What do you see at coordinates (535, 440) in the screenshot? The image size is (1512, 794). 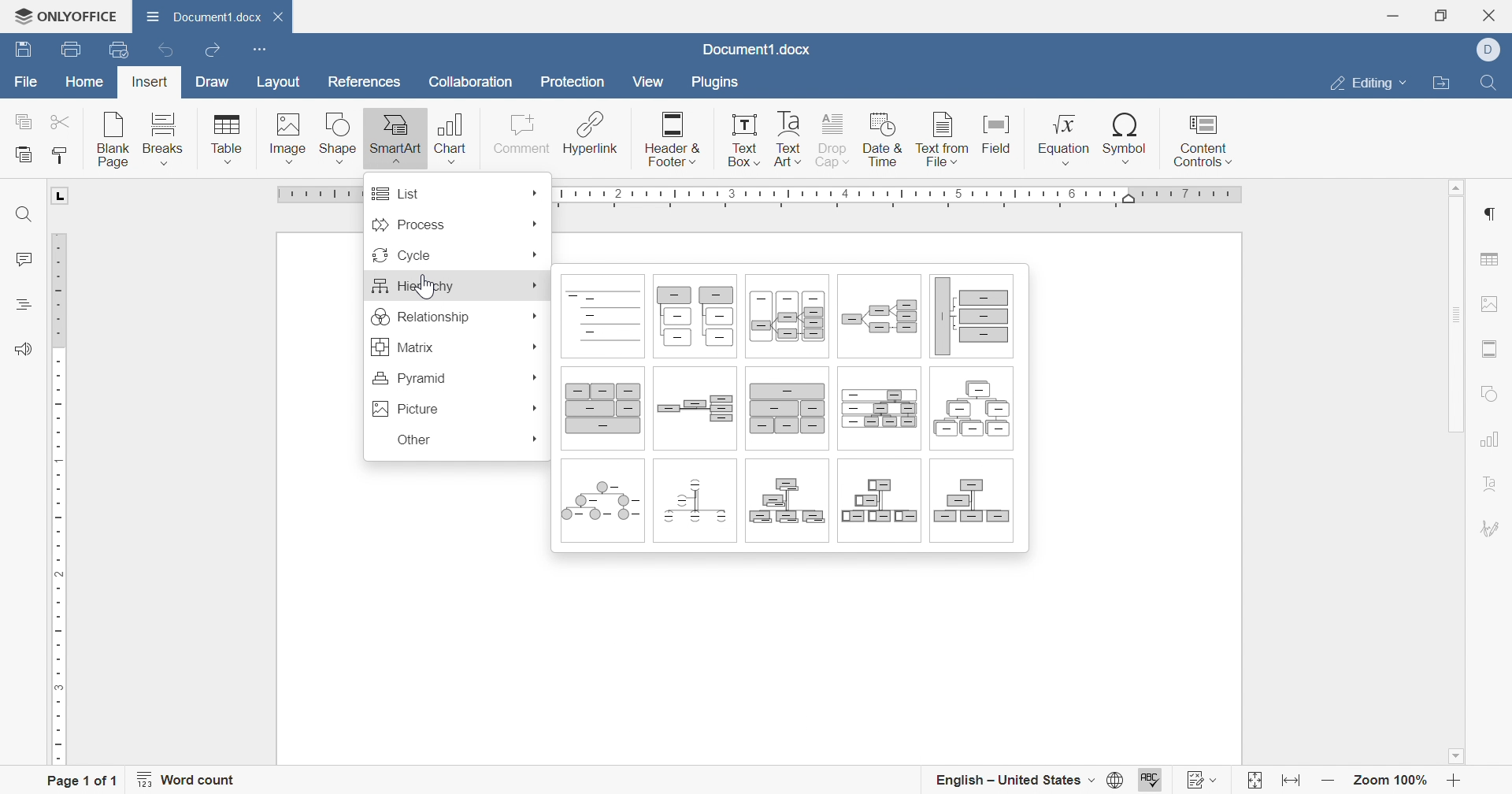 I see `More` at bounding box center [535, 440].